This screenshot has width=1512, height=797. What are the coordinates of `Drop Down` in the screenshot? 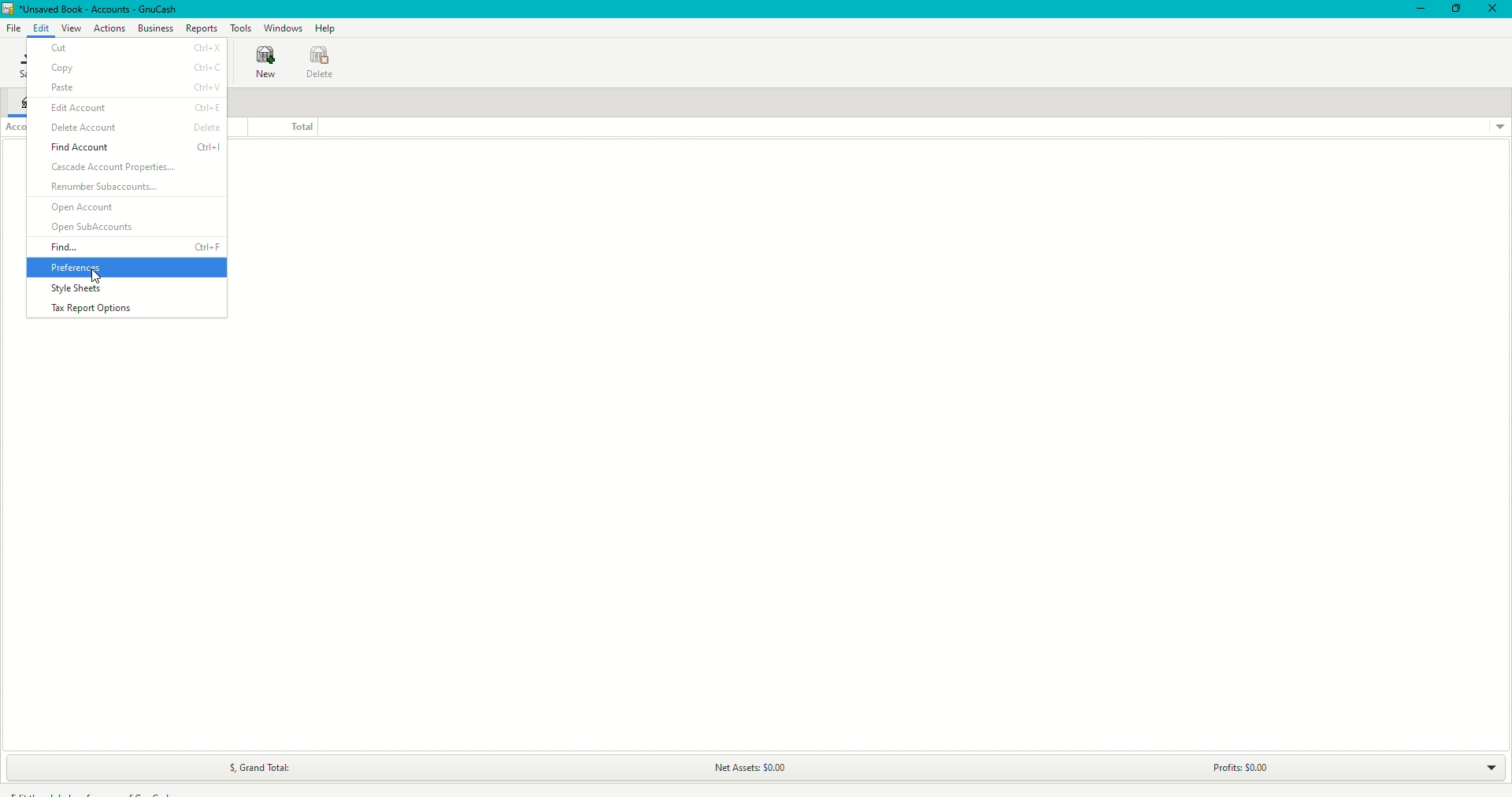 It's located at (1480, 766).